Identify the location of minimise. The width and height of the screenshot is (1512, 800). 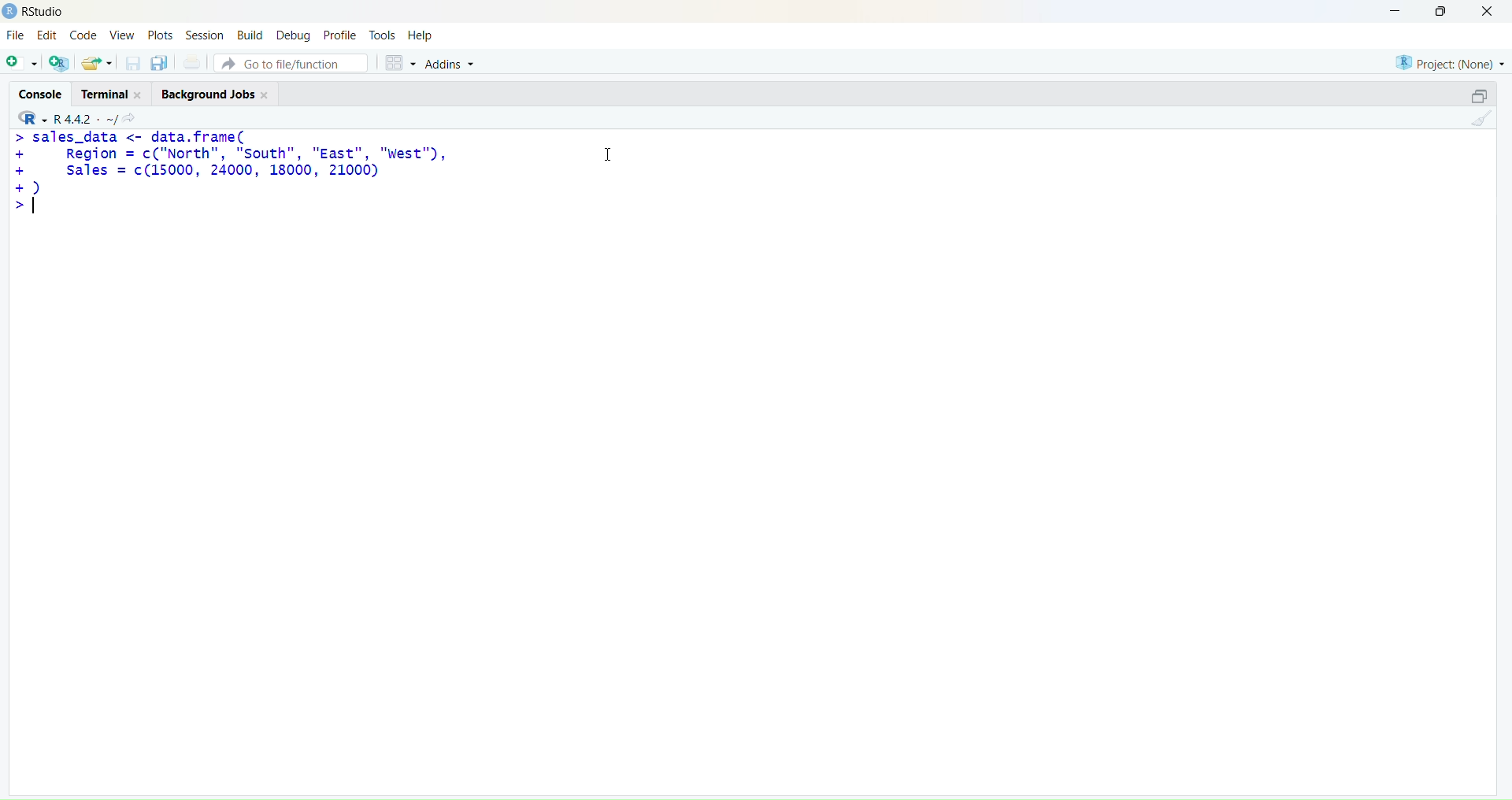
(1385, 9).